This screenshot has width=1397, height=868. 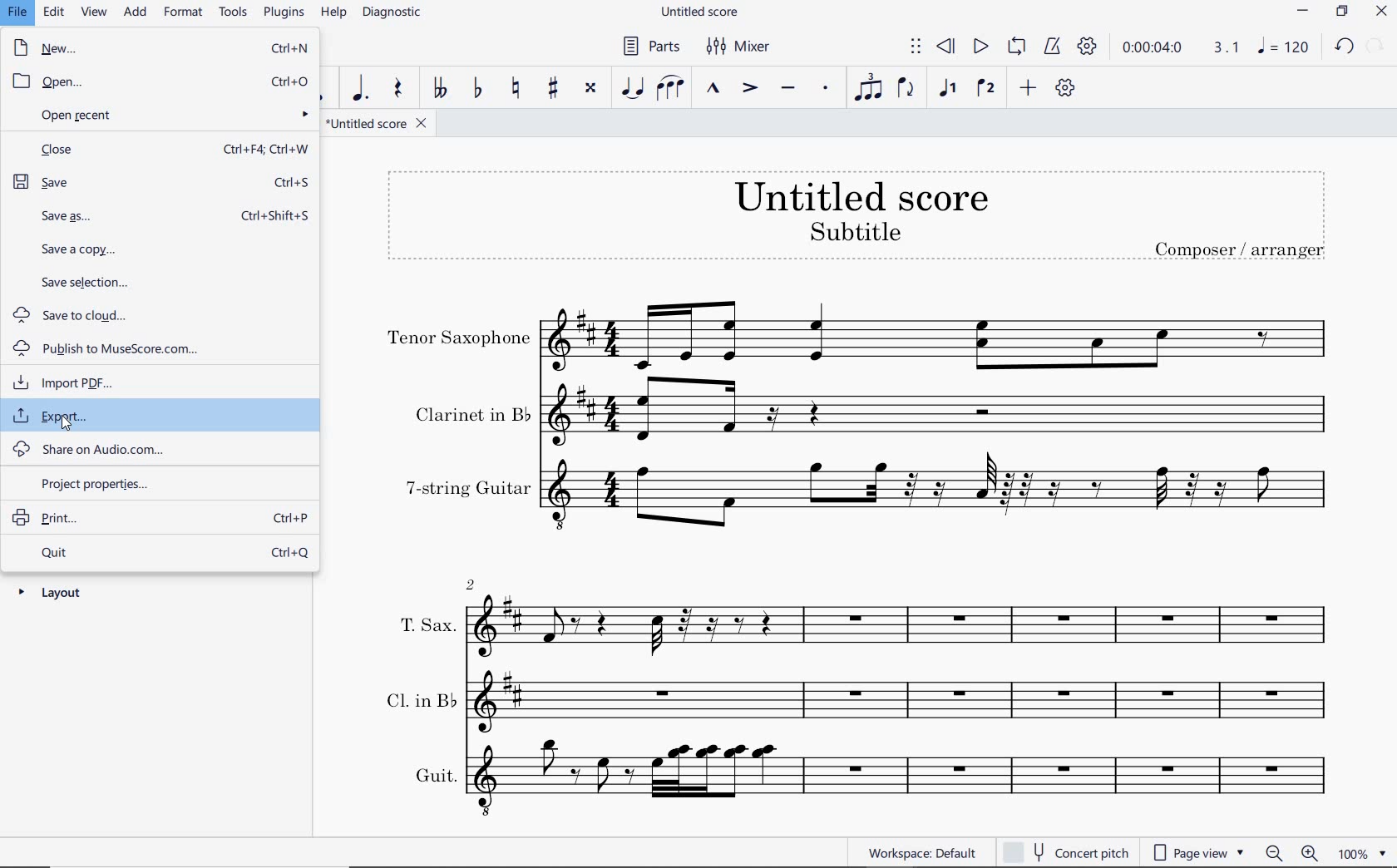 I want to click on 7-string guitar, so click(x=861, y=497).